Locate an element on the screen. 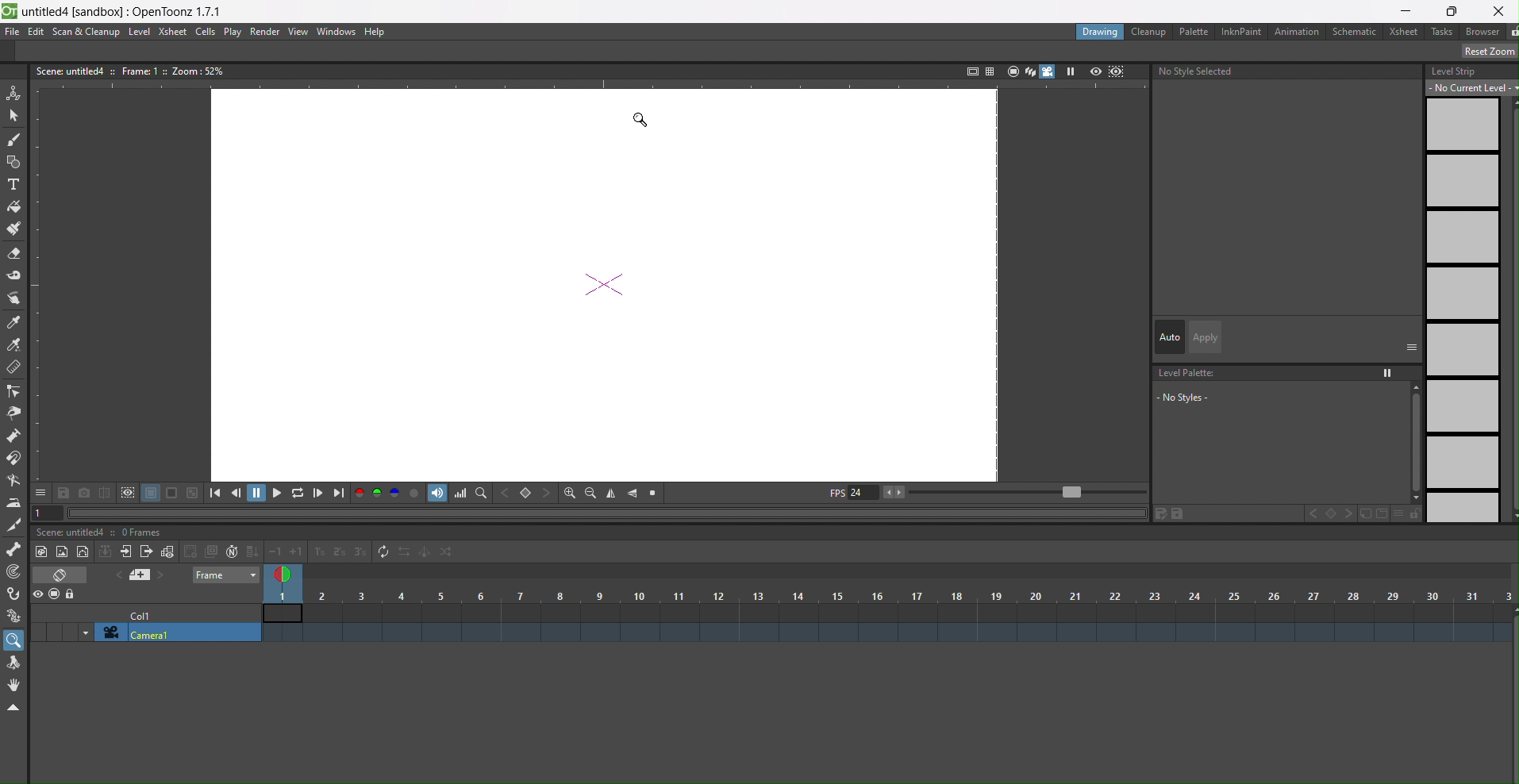  icons is located at coordinates (996, 71).